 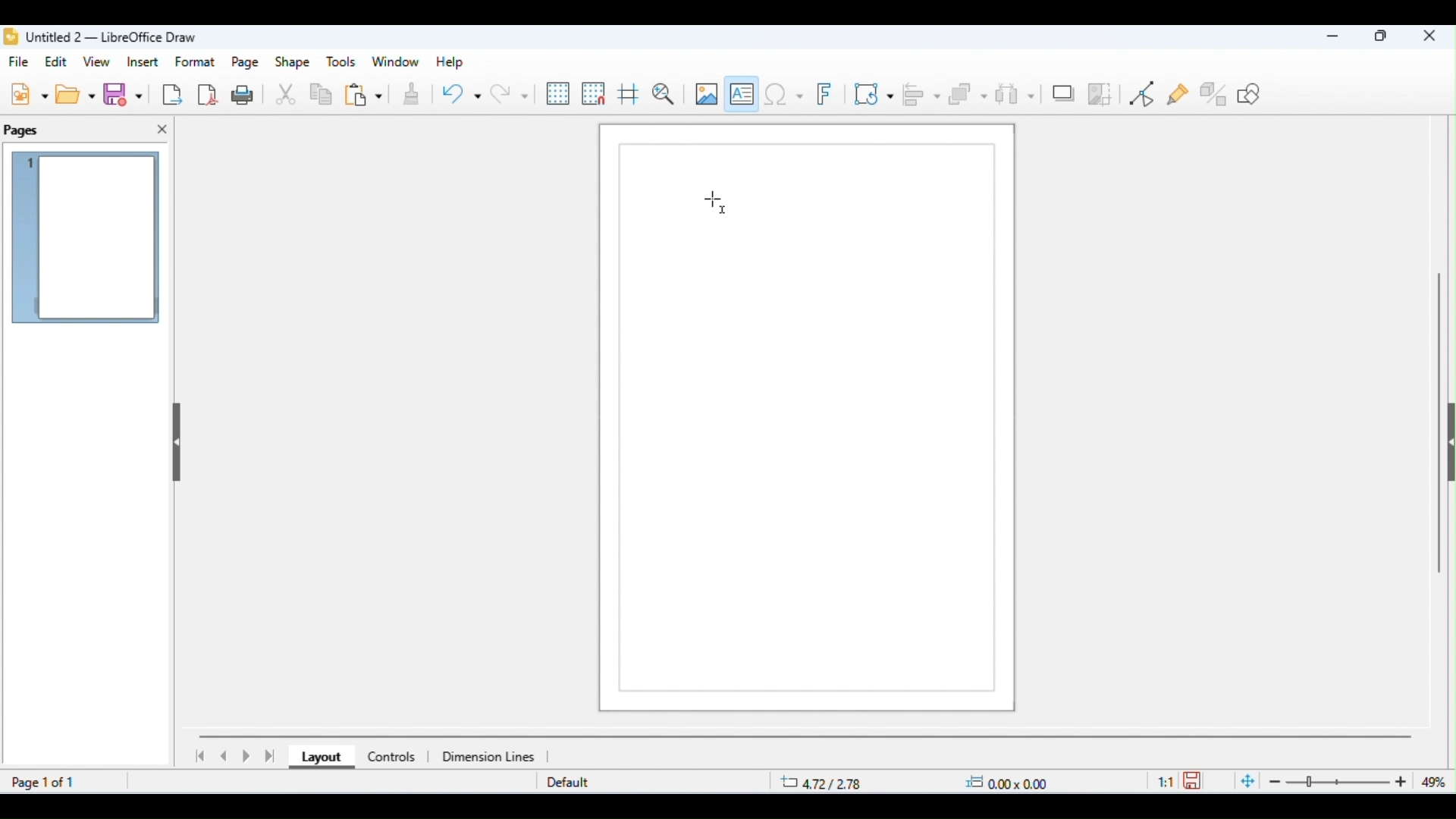 What do you see at coordinates (1063, 92) in the screenshot?
I see `shadow` at bounding box center [1063, 92].